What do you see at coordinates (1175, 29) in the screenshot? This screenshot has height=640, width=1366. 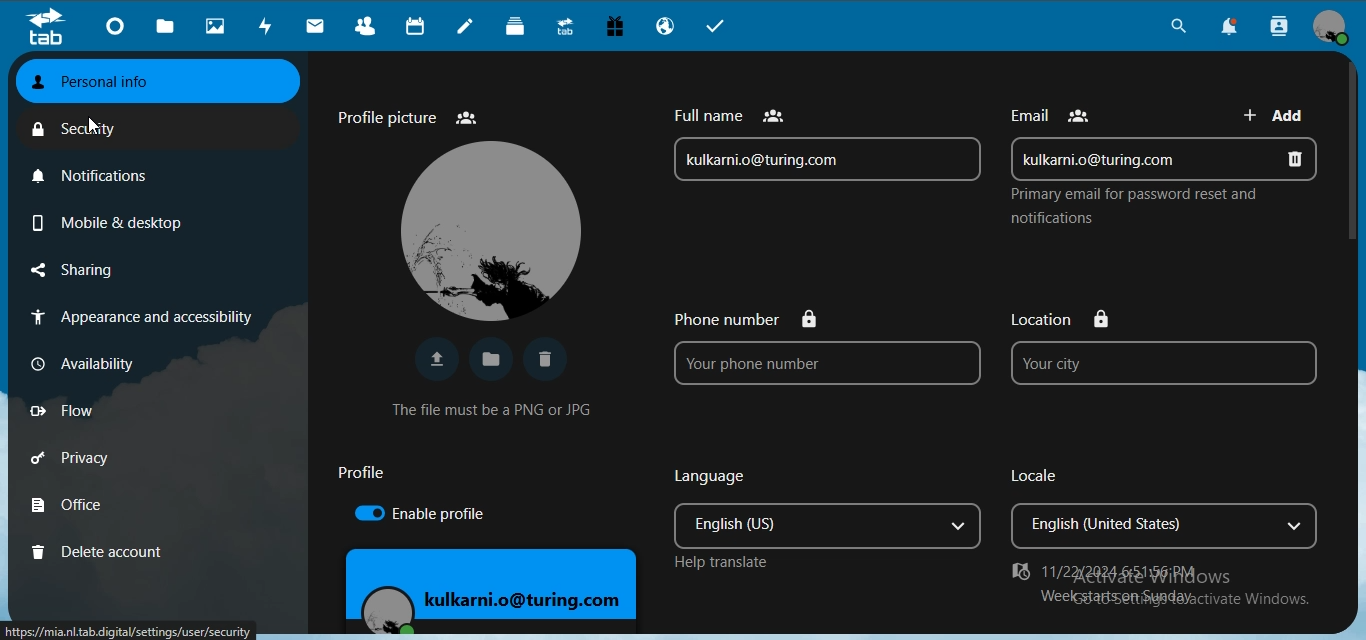 I see `search` at bounding box center [1175, 29].